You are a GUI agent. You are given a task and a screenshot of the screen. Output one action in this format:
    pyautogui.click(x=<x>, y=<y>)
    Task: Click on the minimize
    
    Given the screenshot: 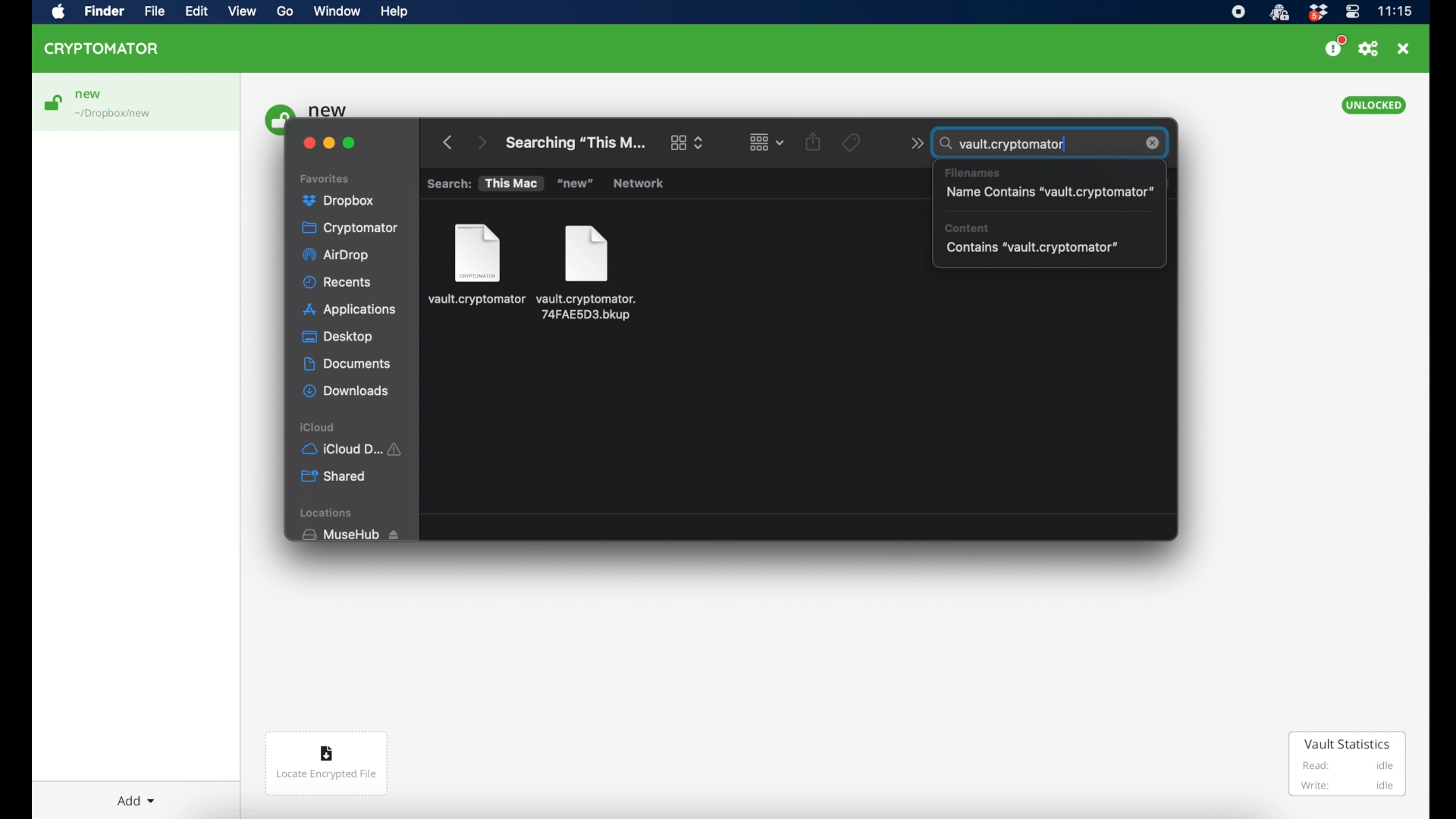 What is the action you would take?
    pyautogui.click(x=329, y=143)
    